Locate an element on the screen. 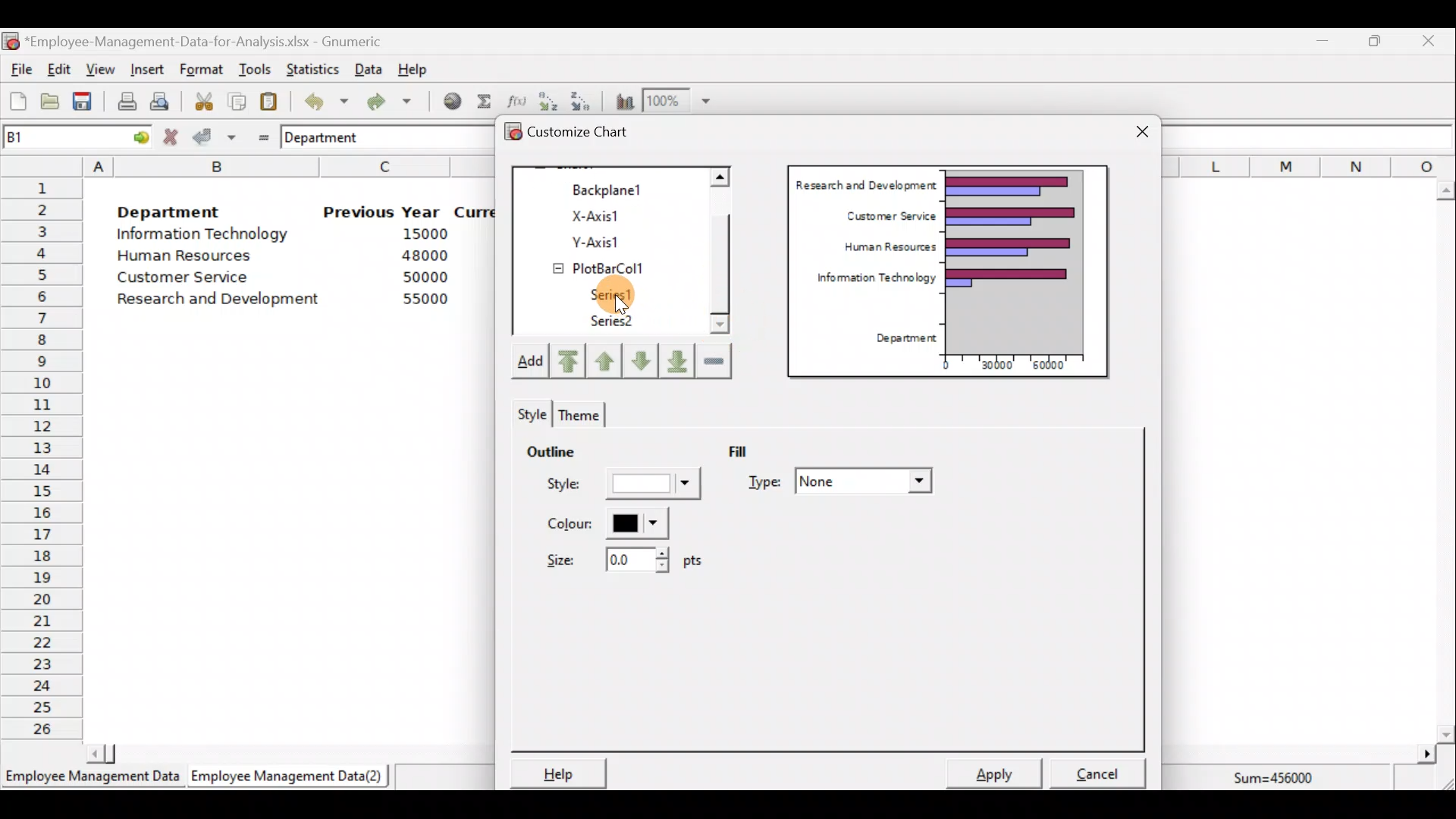 Image resolution: width=1456 pixels, height=819 pixels. Series1 is located at coordinates (619, 292).